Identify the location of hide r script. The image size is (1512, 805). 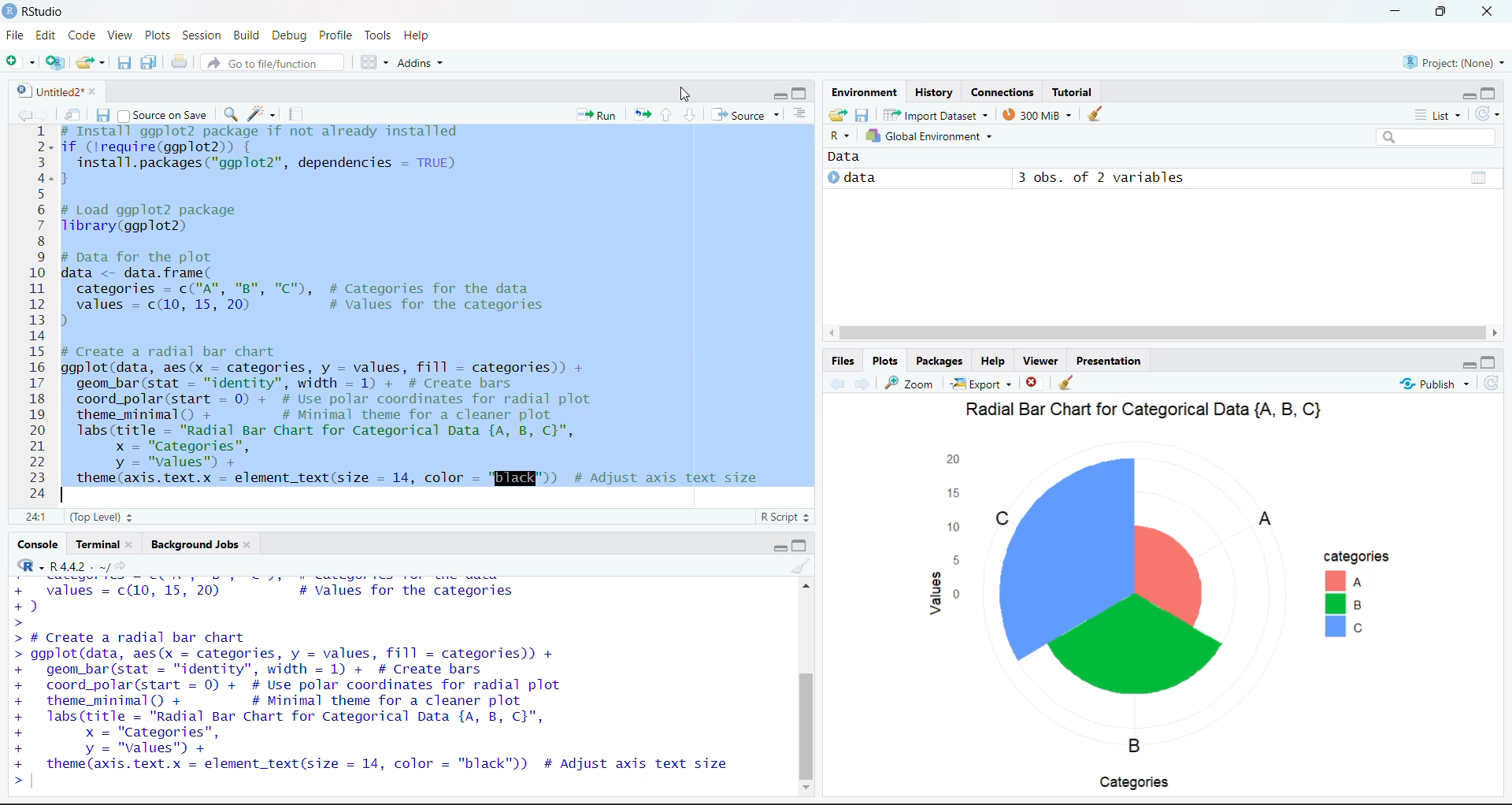
(776, 546).